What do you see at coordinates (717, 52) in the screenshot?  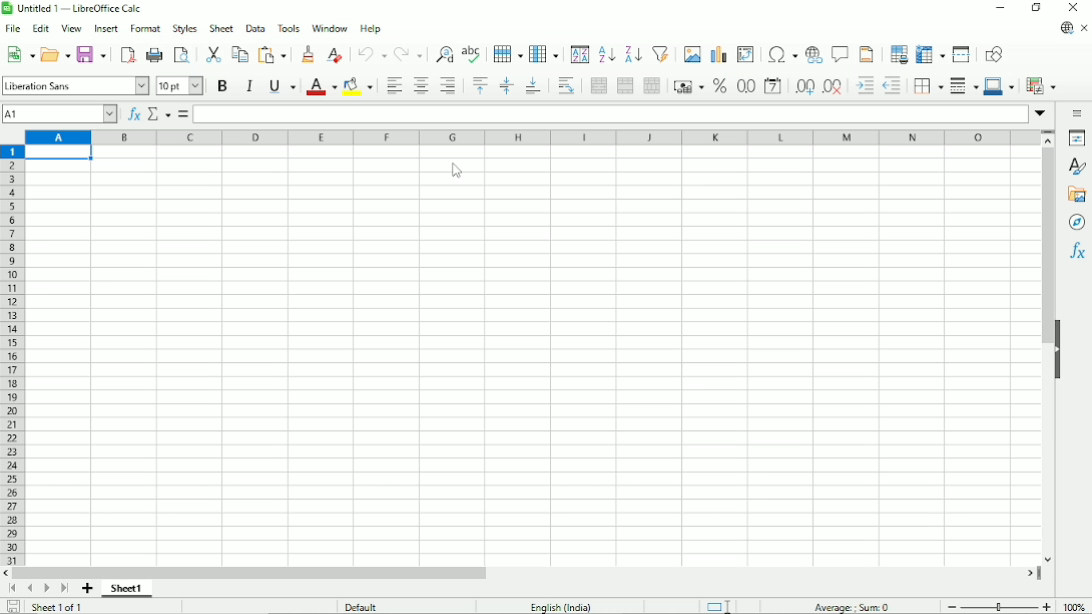 I see `Insert chart` at bounding box center [717, 52].